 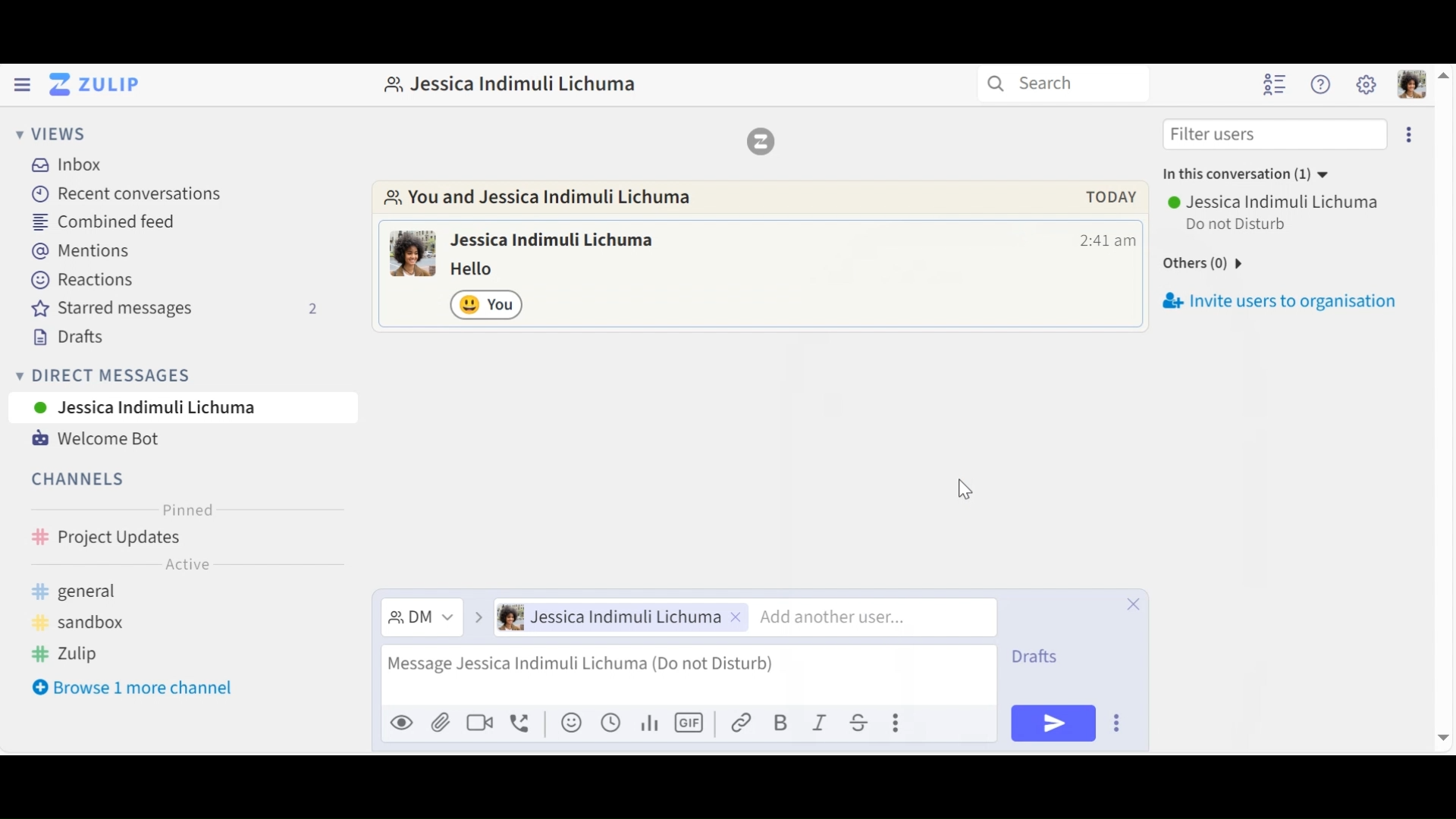 What do you see at coordinates (1241, 177) in the screenshot?
I see `in this conversation` at bounding box center [1241, 177].